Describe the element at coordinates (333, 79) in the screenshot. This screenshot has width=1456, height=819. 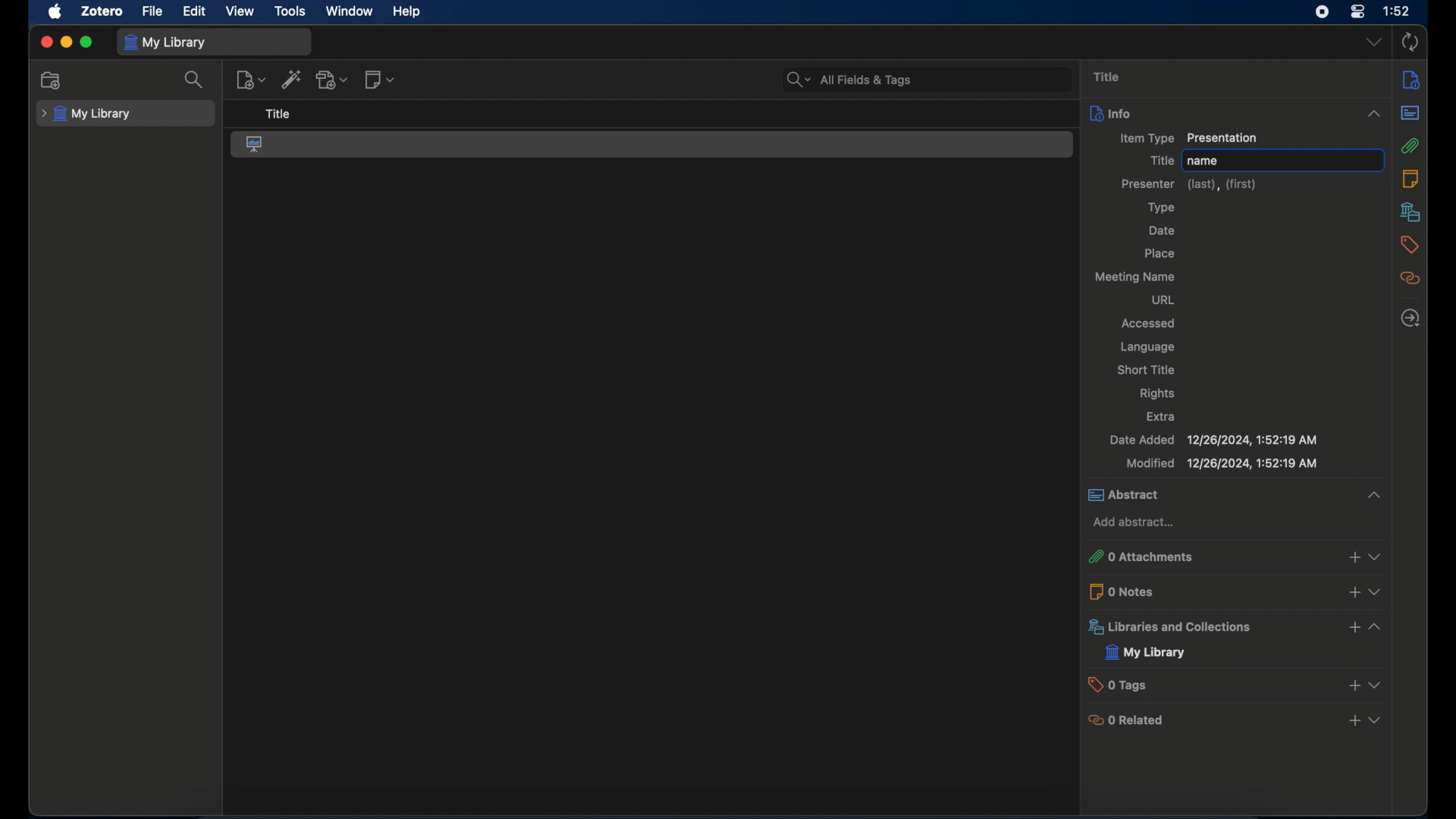
I see `add attachment` at that location.